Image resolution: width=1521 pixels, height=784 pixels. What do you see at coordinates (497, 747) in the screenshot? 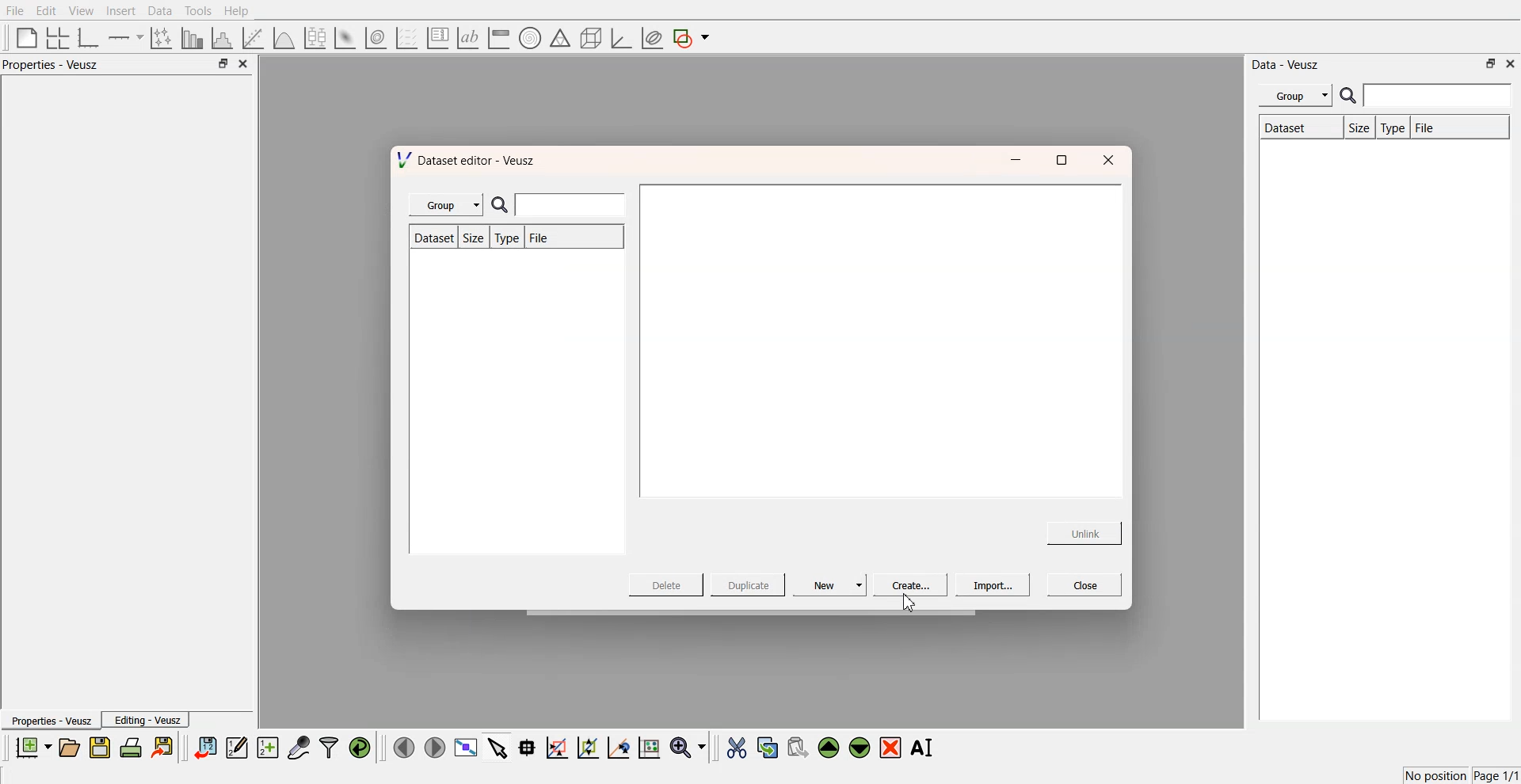
I see `select items` at bounding box center [497, 747].